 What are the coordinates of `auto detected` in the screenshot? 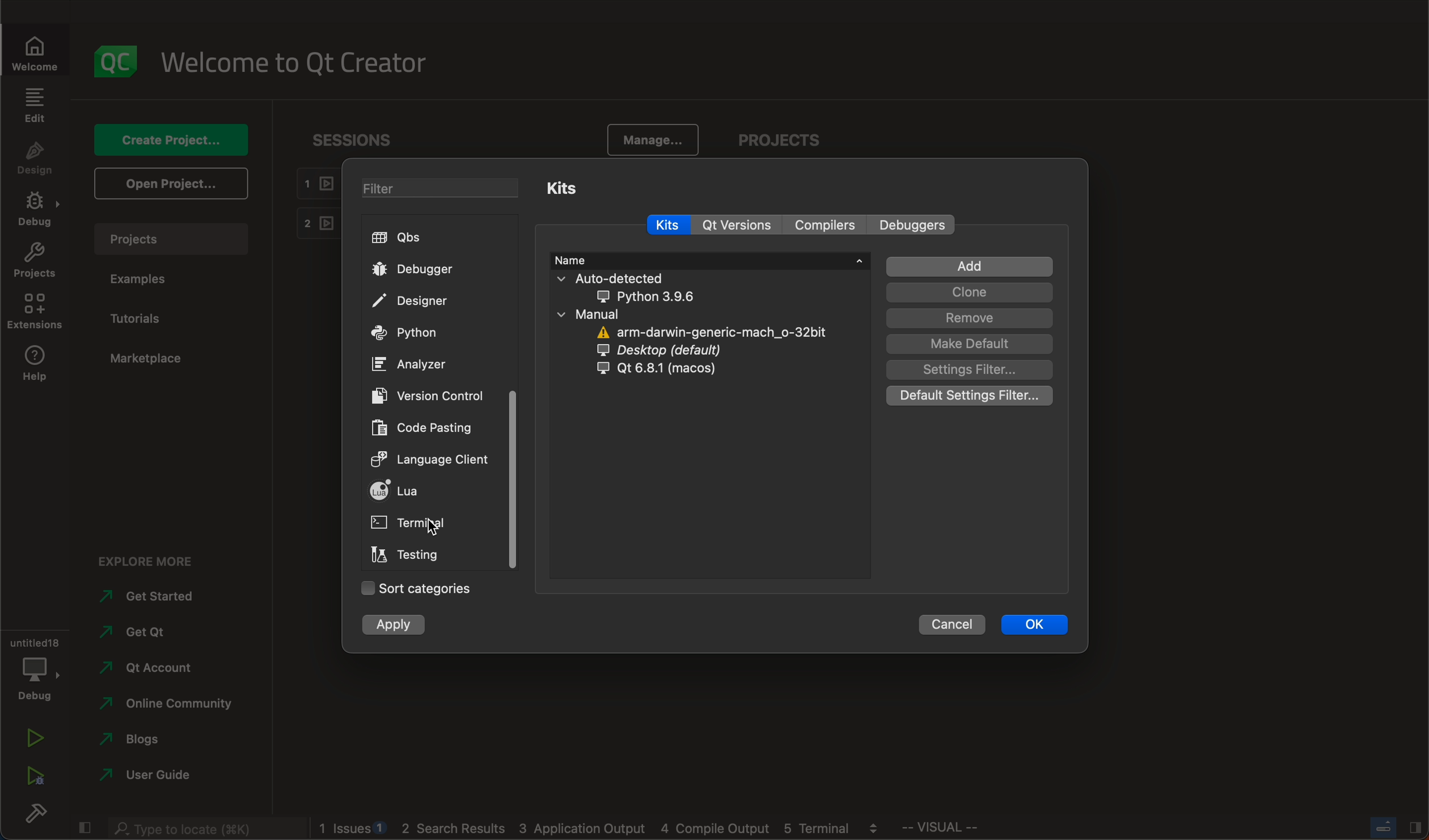 It's located at (637, 287).